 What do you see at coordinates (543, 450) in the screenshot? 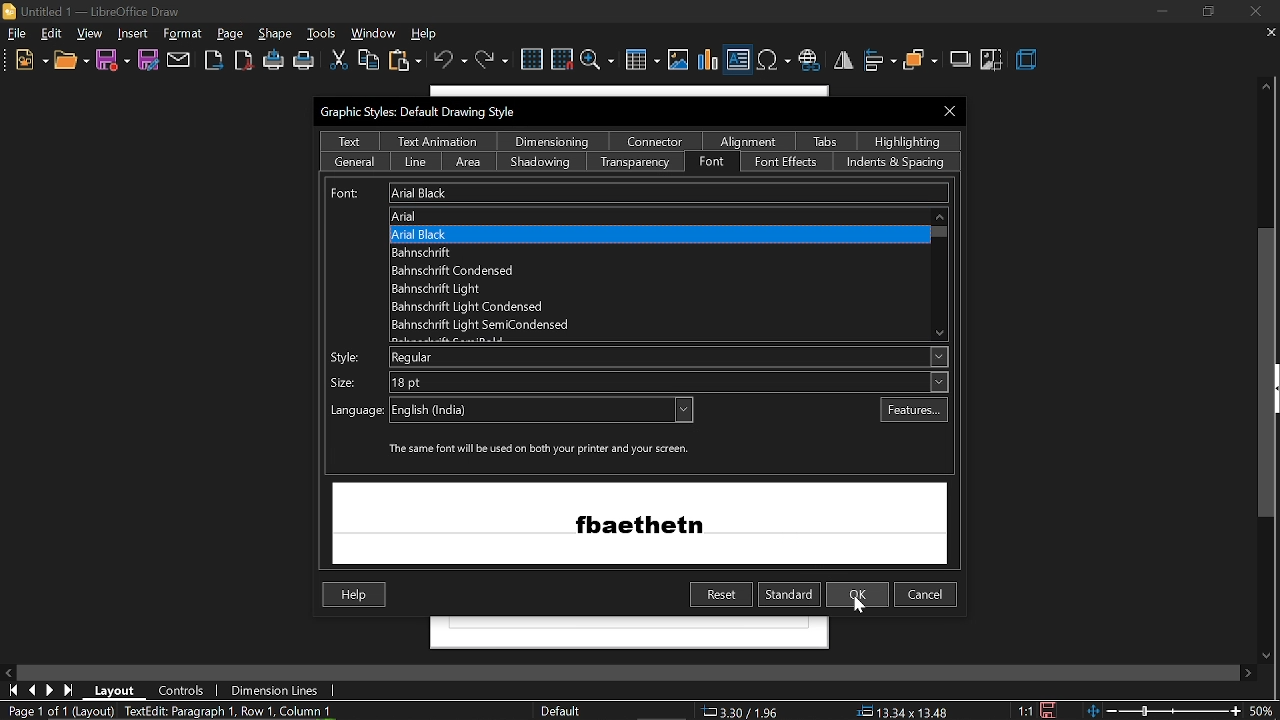
I see `‘The same font will be used on both your printer and your screen.` at bounding box center [543, 450].